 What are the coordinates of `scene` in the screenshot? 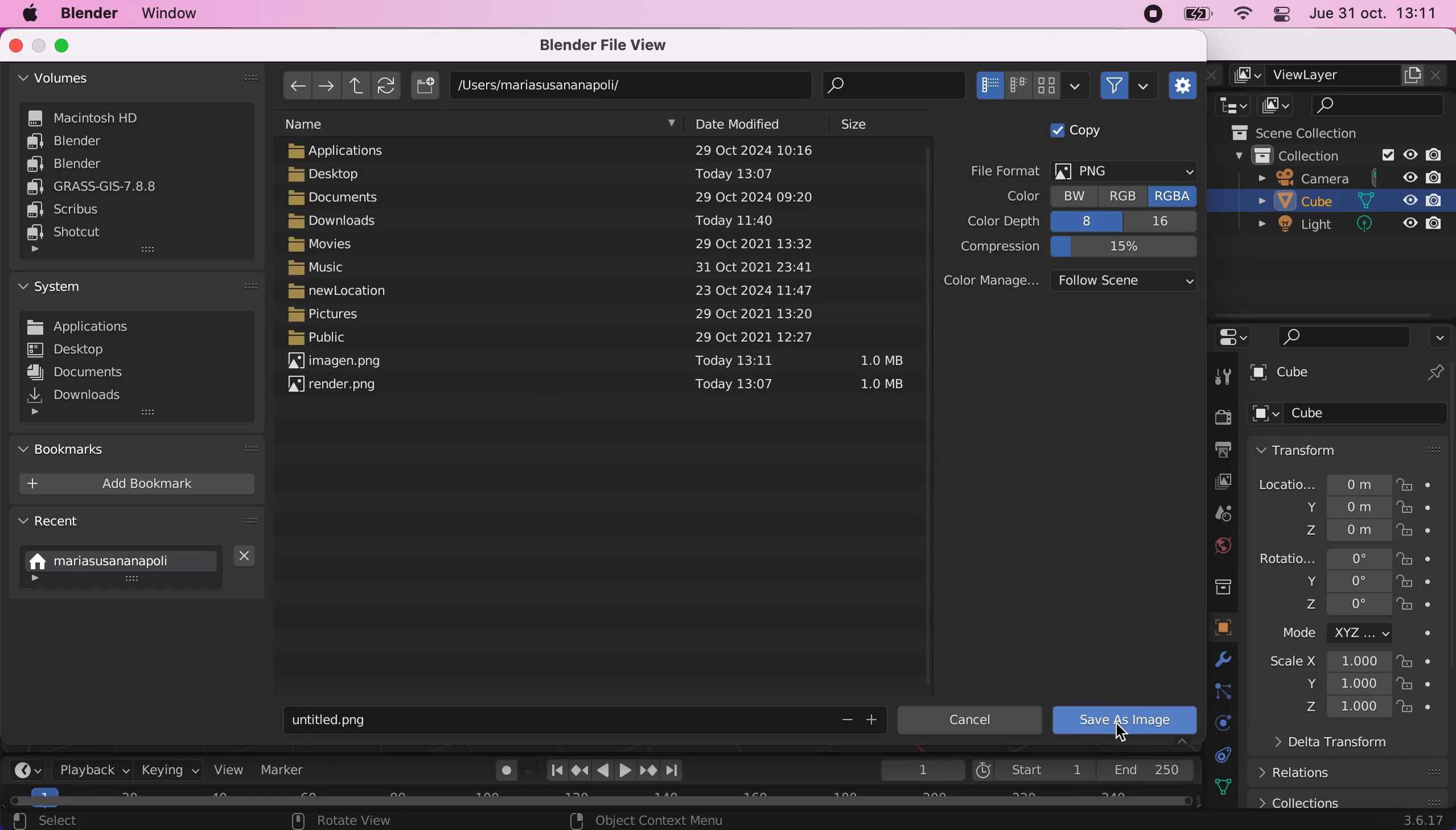 It's located at (1222, 514).